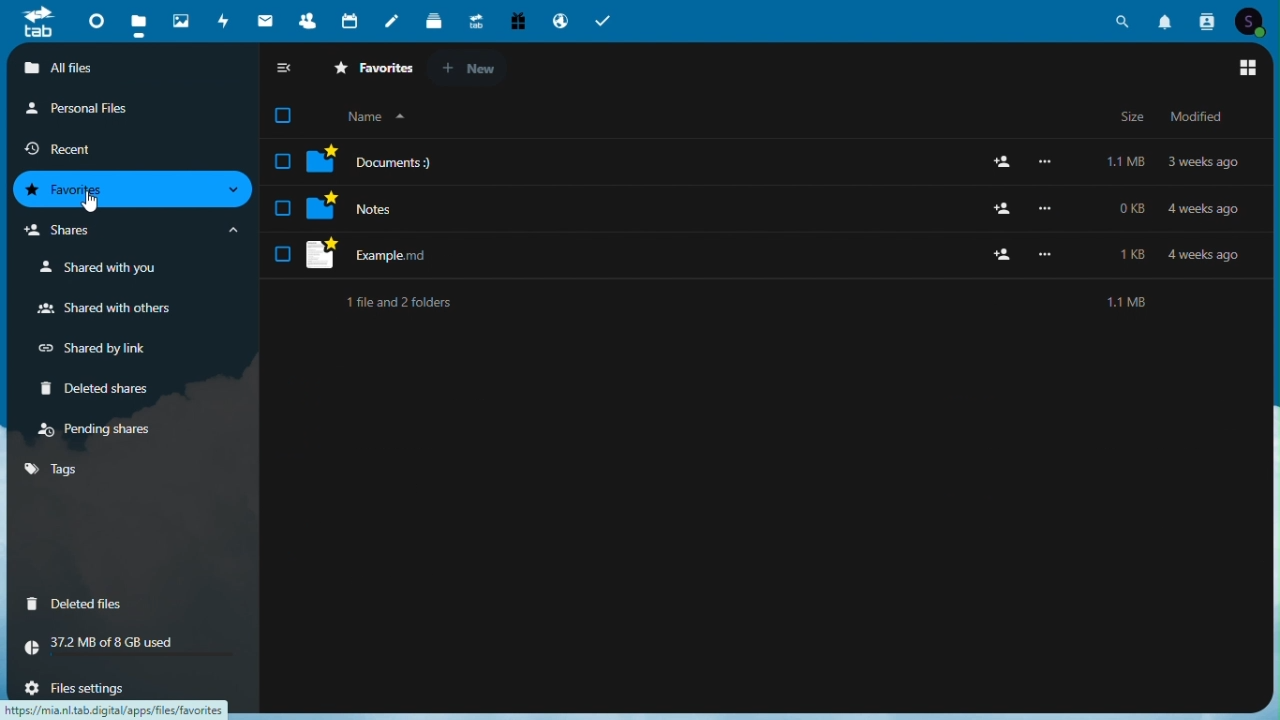 The image size is (1280, 720). What do you see at coordinates (608, 19) in the screenshot?
I see `Task ` at bounding box center [608, 19].